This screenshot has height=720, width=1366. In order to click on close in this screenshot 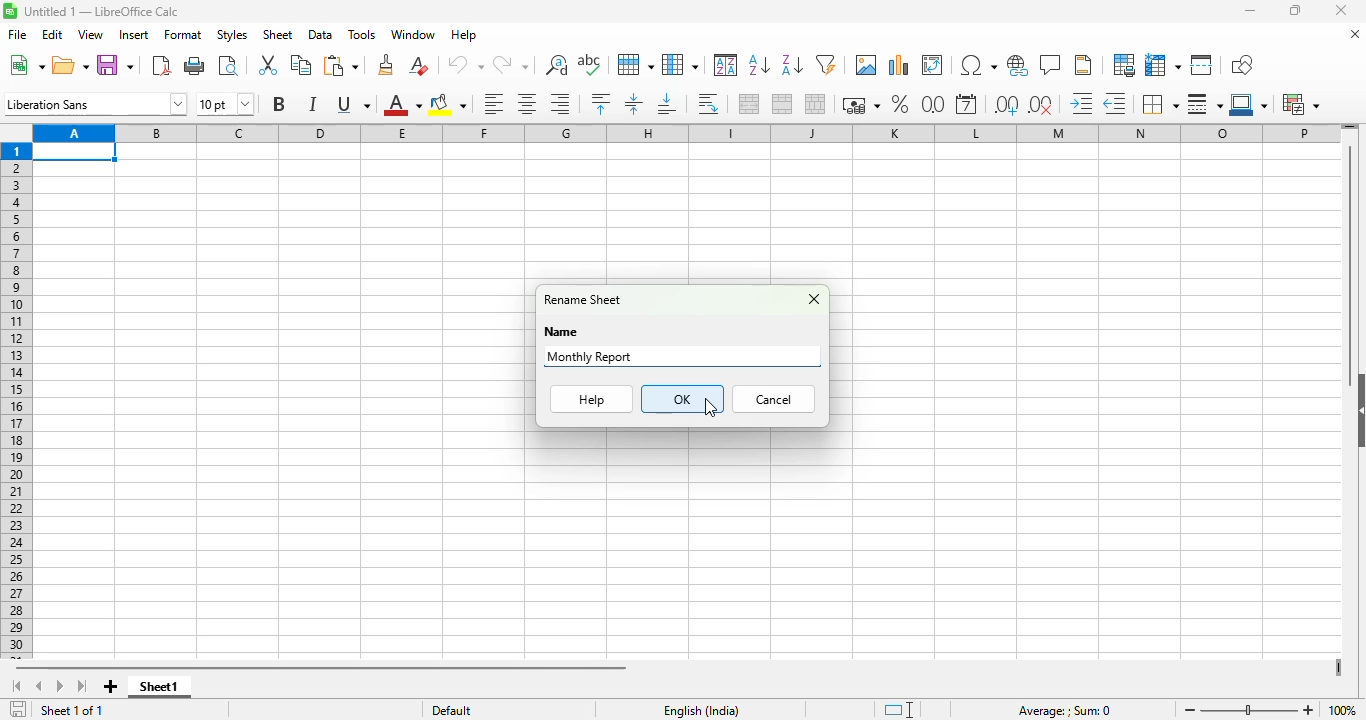, I will do `click(1340, 10)`.